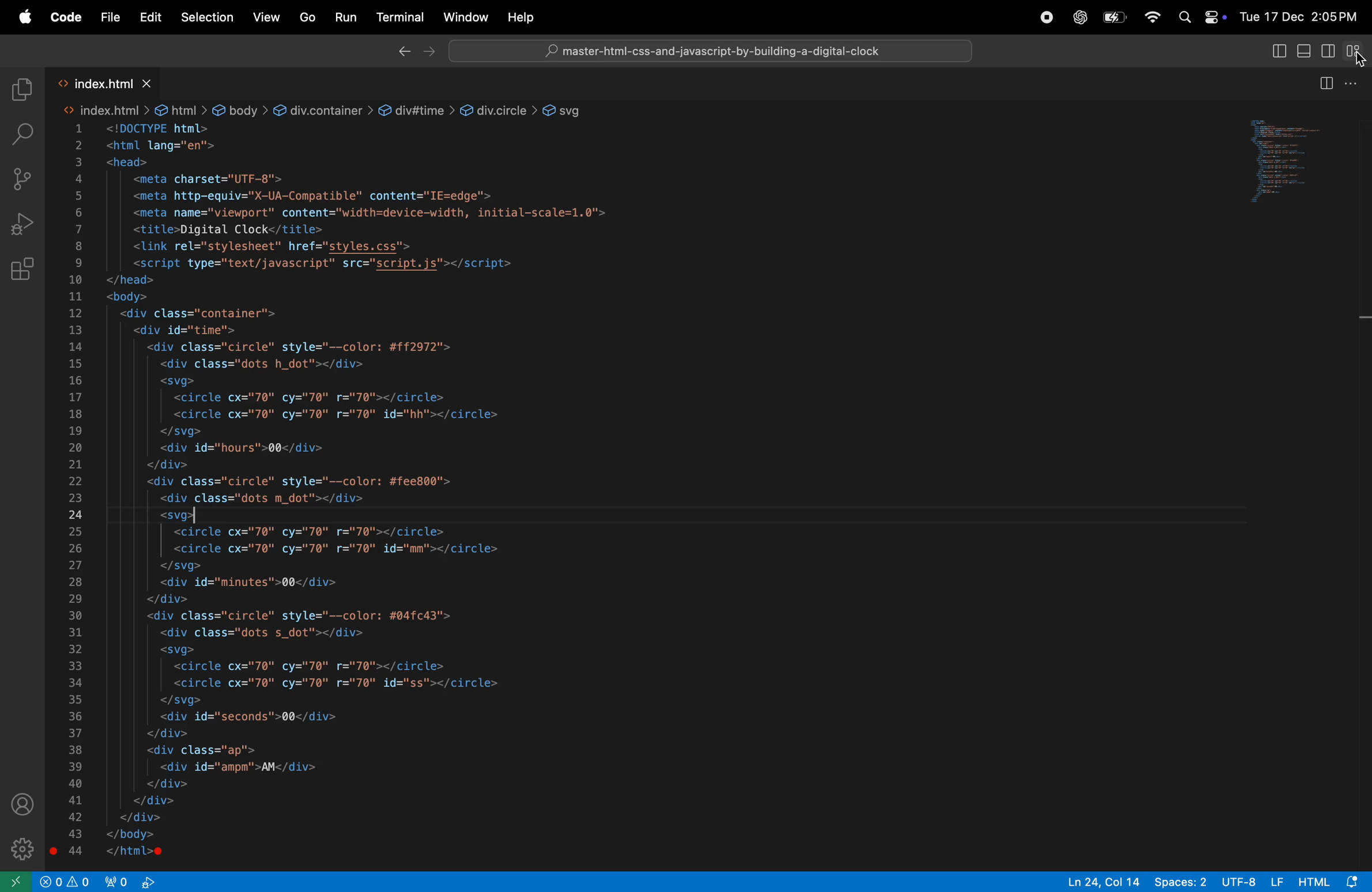 This screenshot has height=892, width=1372. I want to click on explore, so click(22, 90).